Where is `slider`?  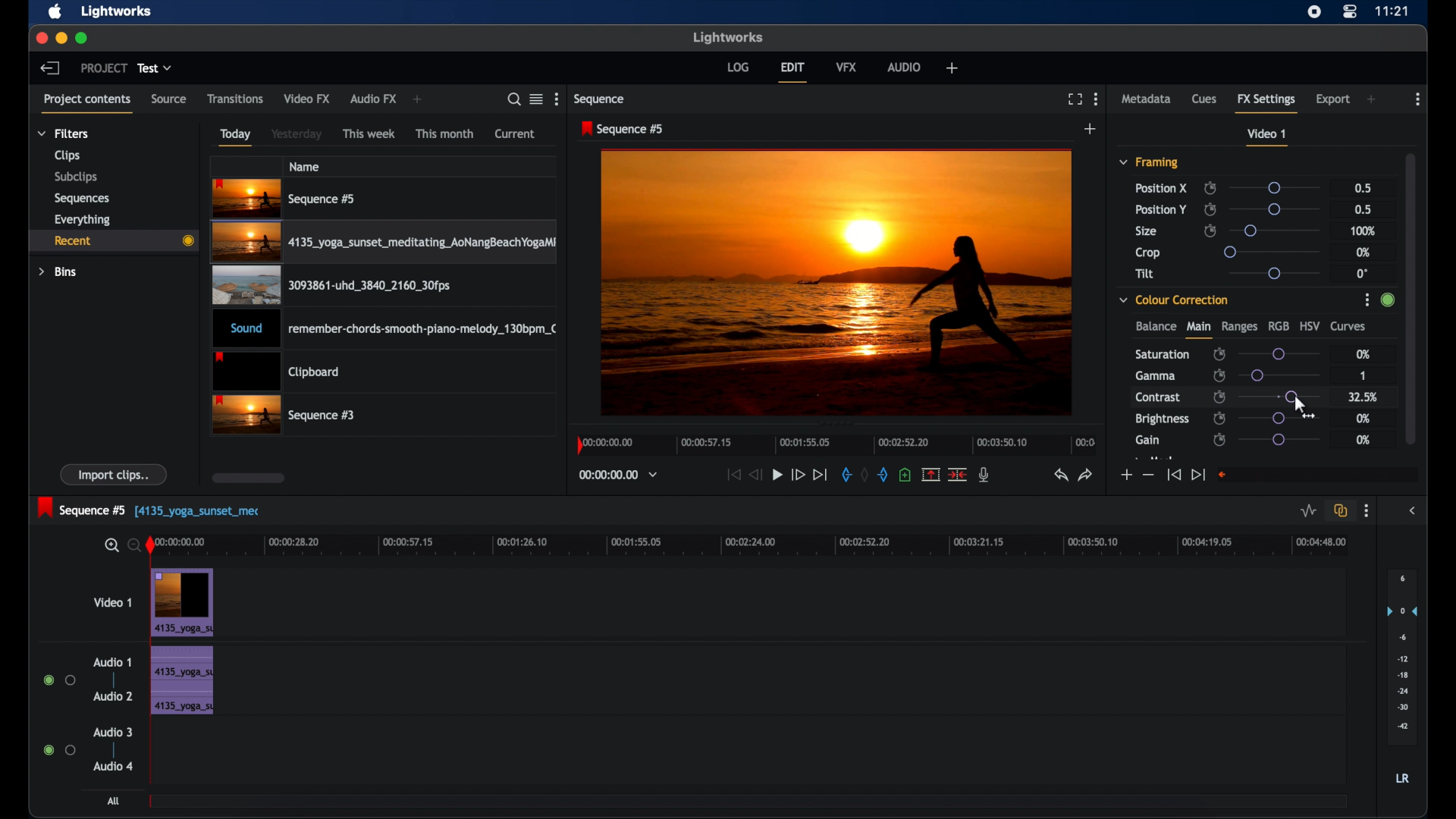 slider is located at coordinates (1279, 375).